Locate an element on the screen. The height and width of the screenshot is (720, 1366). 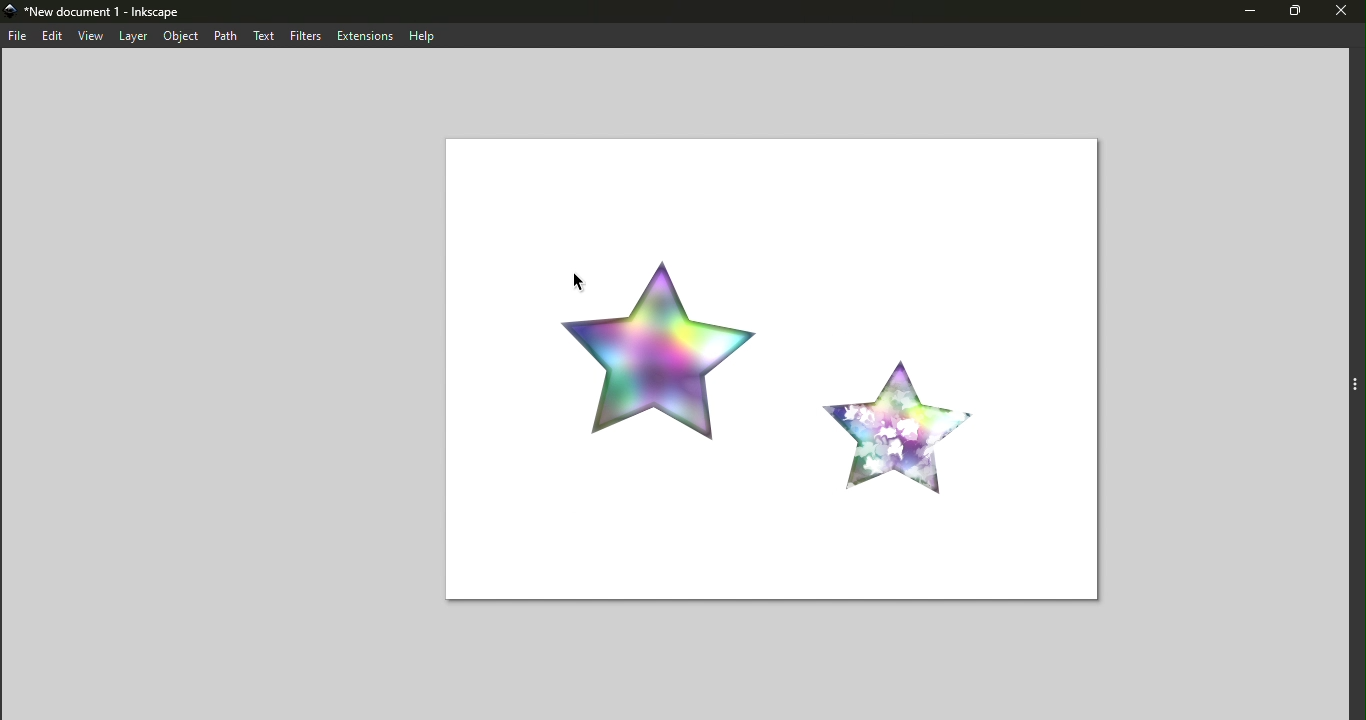
maximize is located at coordinates (1301, 14).